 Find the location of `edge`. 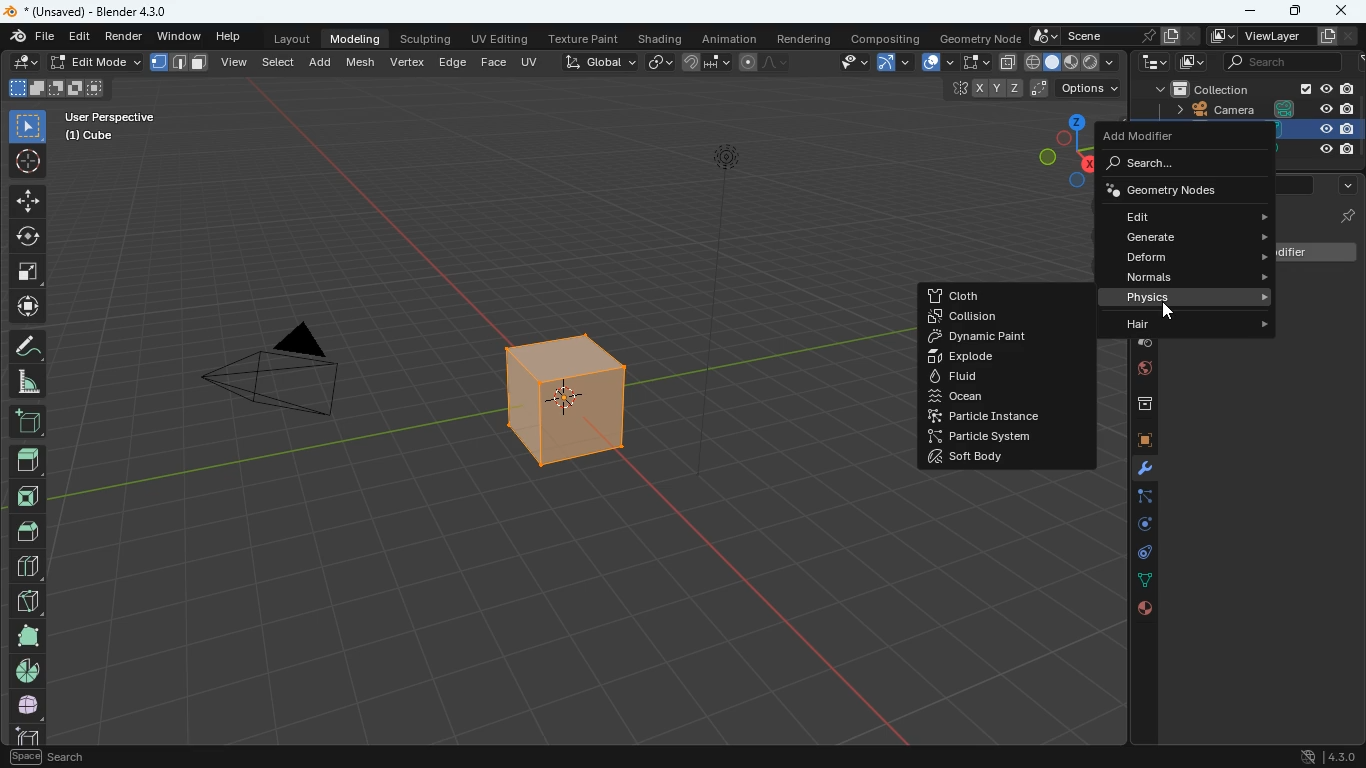

edge is located at coordinates (452, 61).